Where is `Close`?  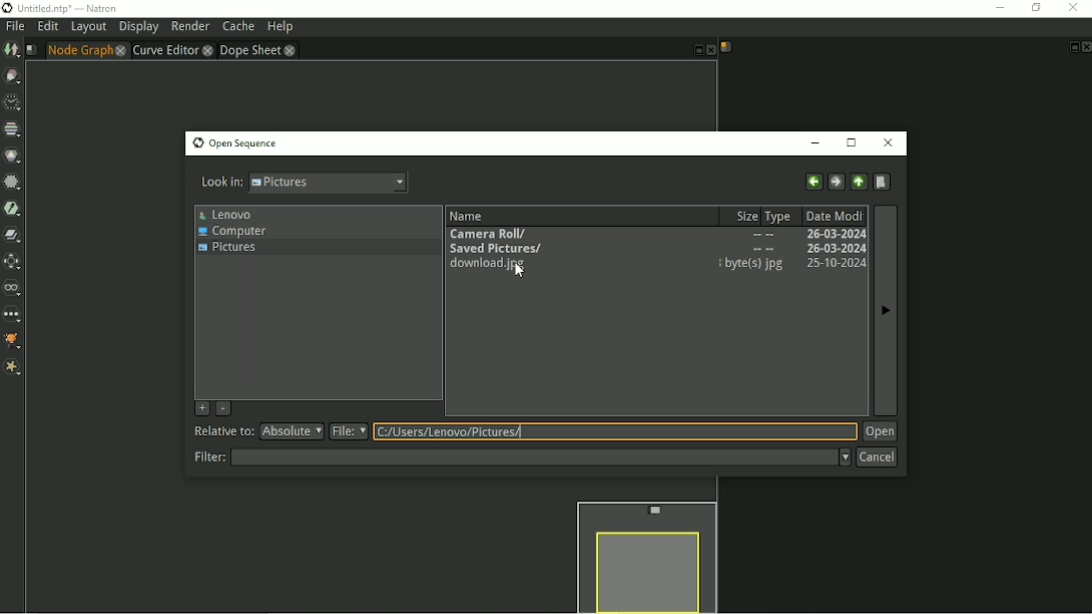 Close is located at coordinates (1085, 47).